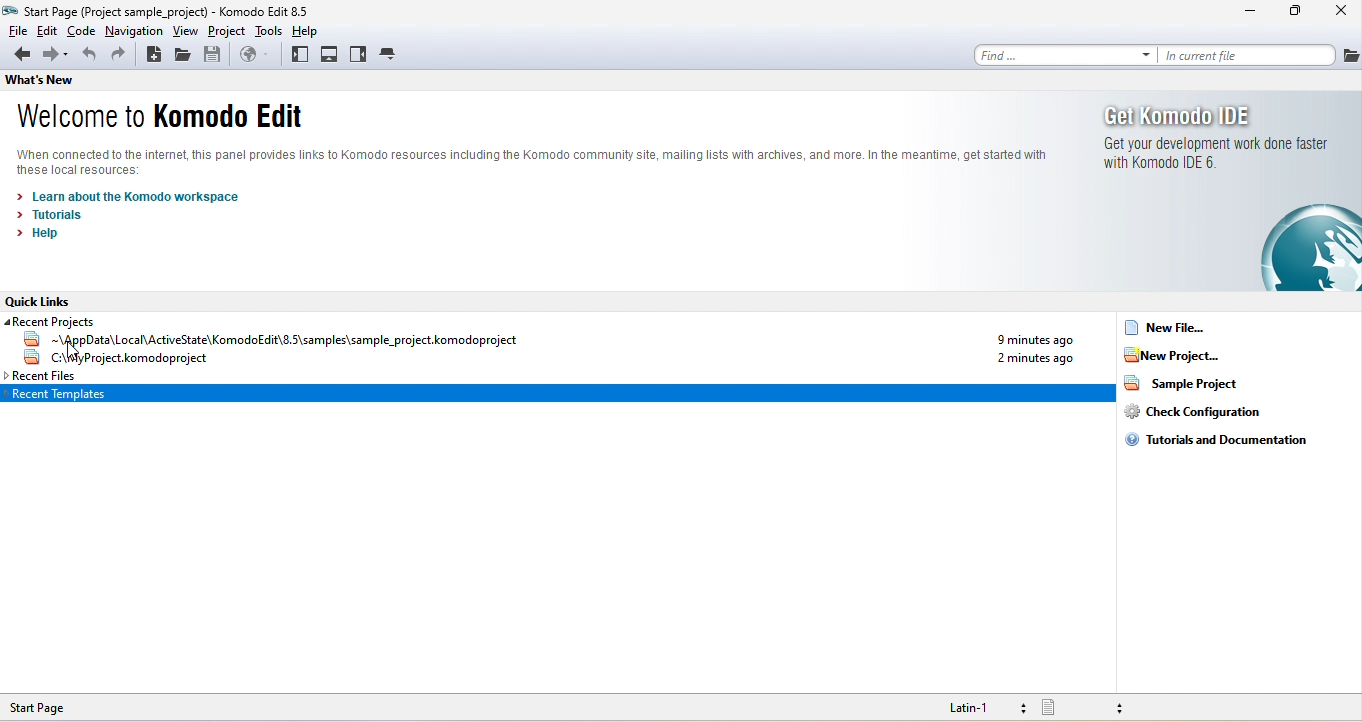  Describe the element at coordinates (119, 56) in the screenshot. I see `redo` at that location.